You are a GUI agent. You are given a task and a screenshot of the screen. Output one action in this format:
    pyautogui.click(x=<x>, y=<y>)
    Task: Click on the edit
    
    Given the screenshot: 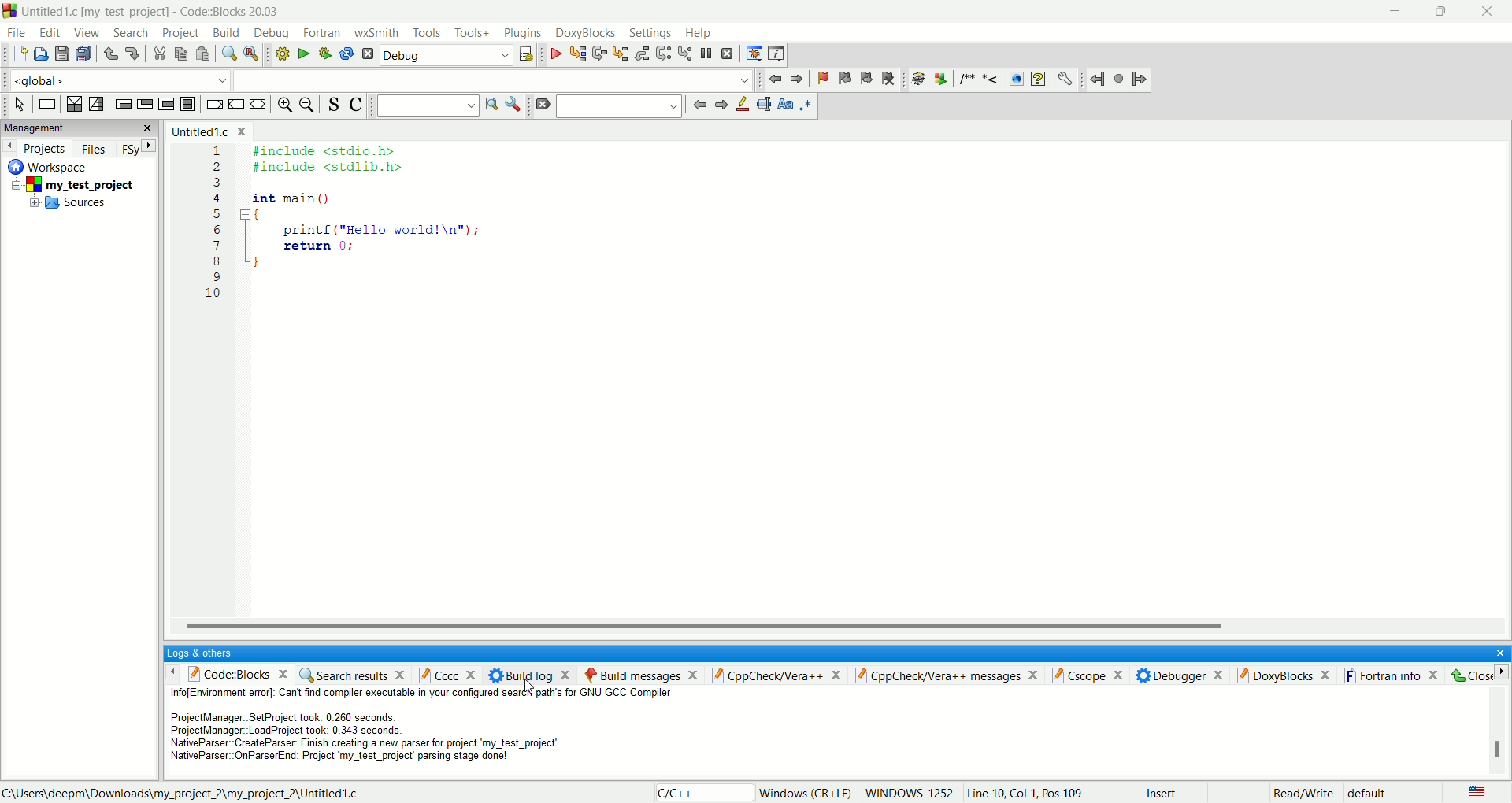 What is the action you would take?
    pyautogui.click(x=50, y=32)
    